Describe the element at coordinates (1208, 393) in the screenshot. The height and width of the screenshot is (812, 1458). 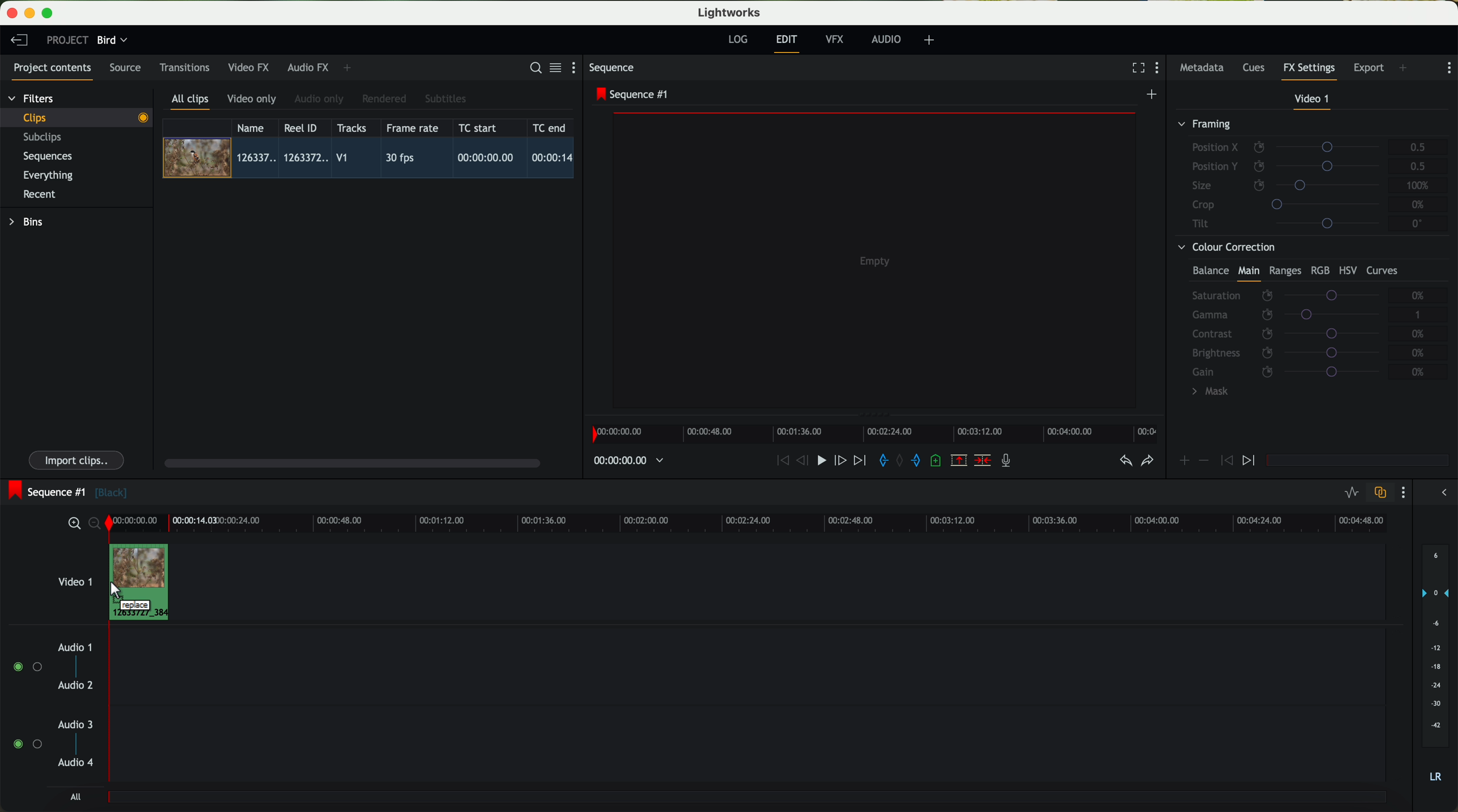
I see `mask` at that location.